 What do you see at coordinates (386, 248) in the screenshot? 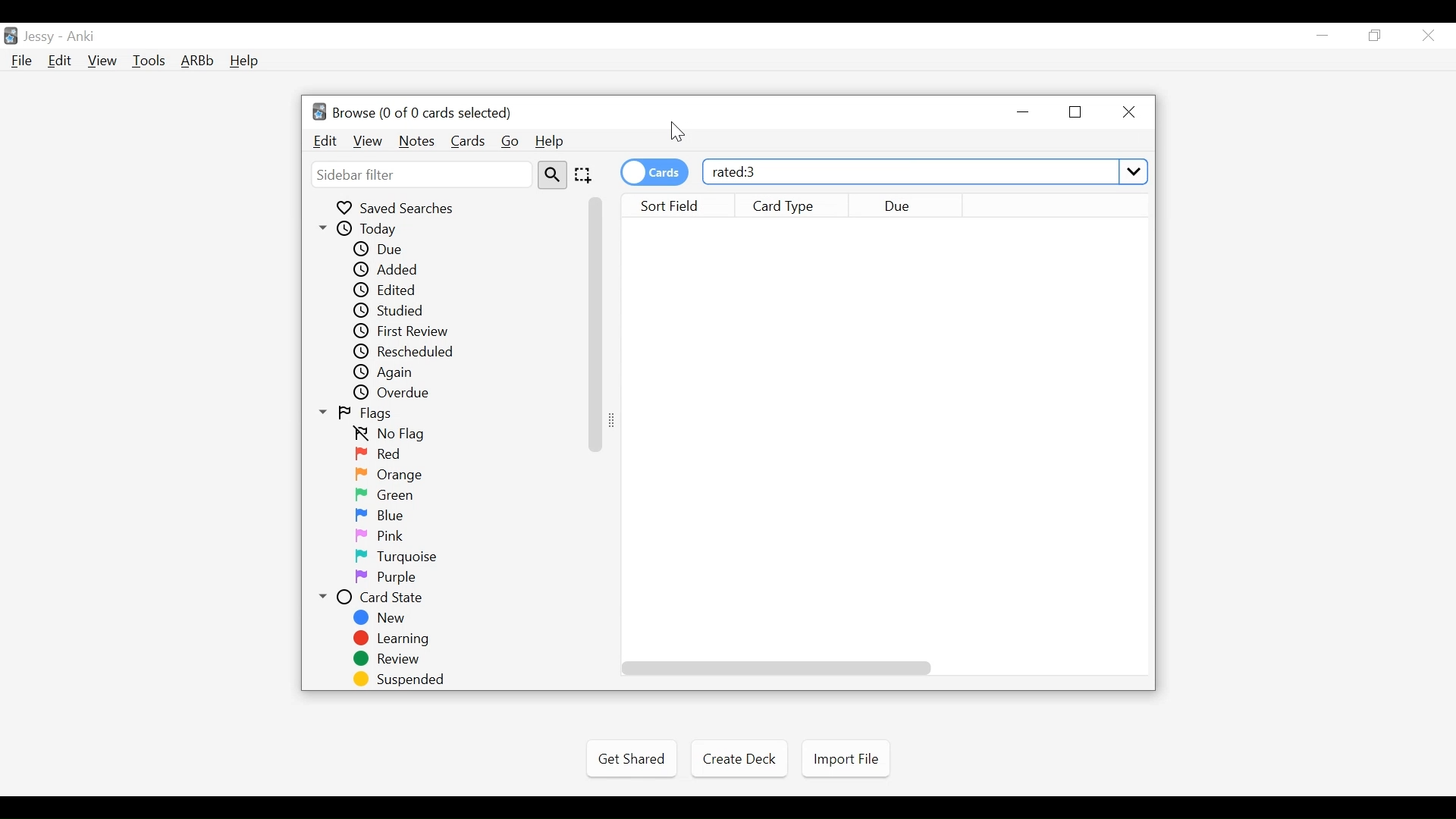
I see `Due` at bounding box center [386, 248].